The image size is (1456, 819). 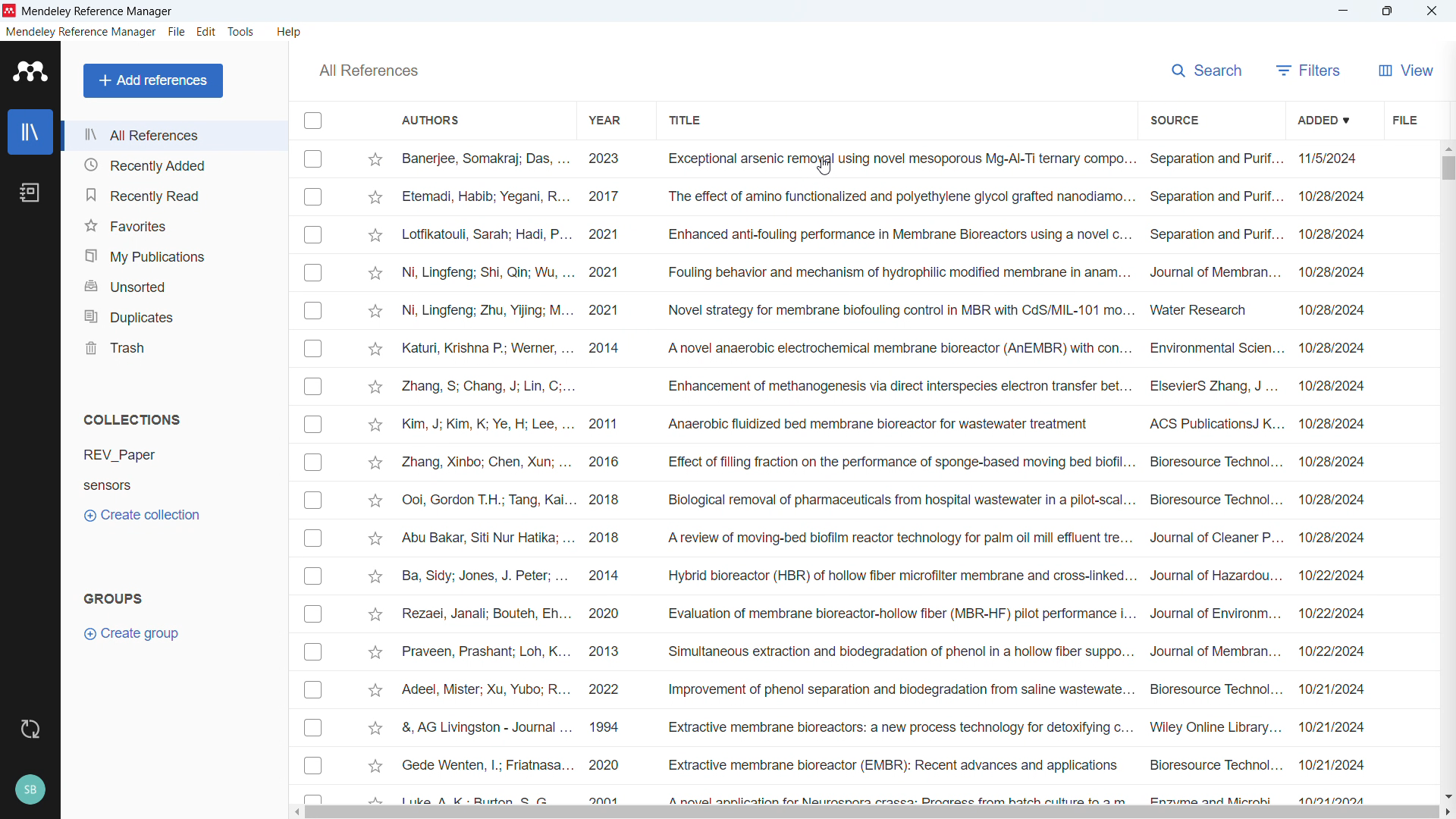 What do you see at coordinates (316, 463) in the screenshot?
I see `click to select individual entry` at bounding box center [316, 463].